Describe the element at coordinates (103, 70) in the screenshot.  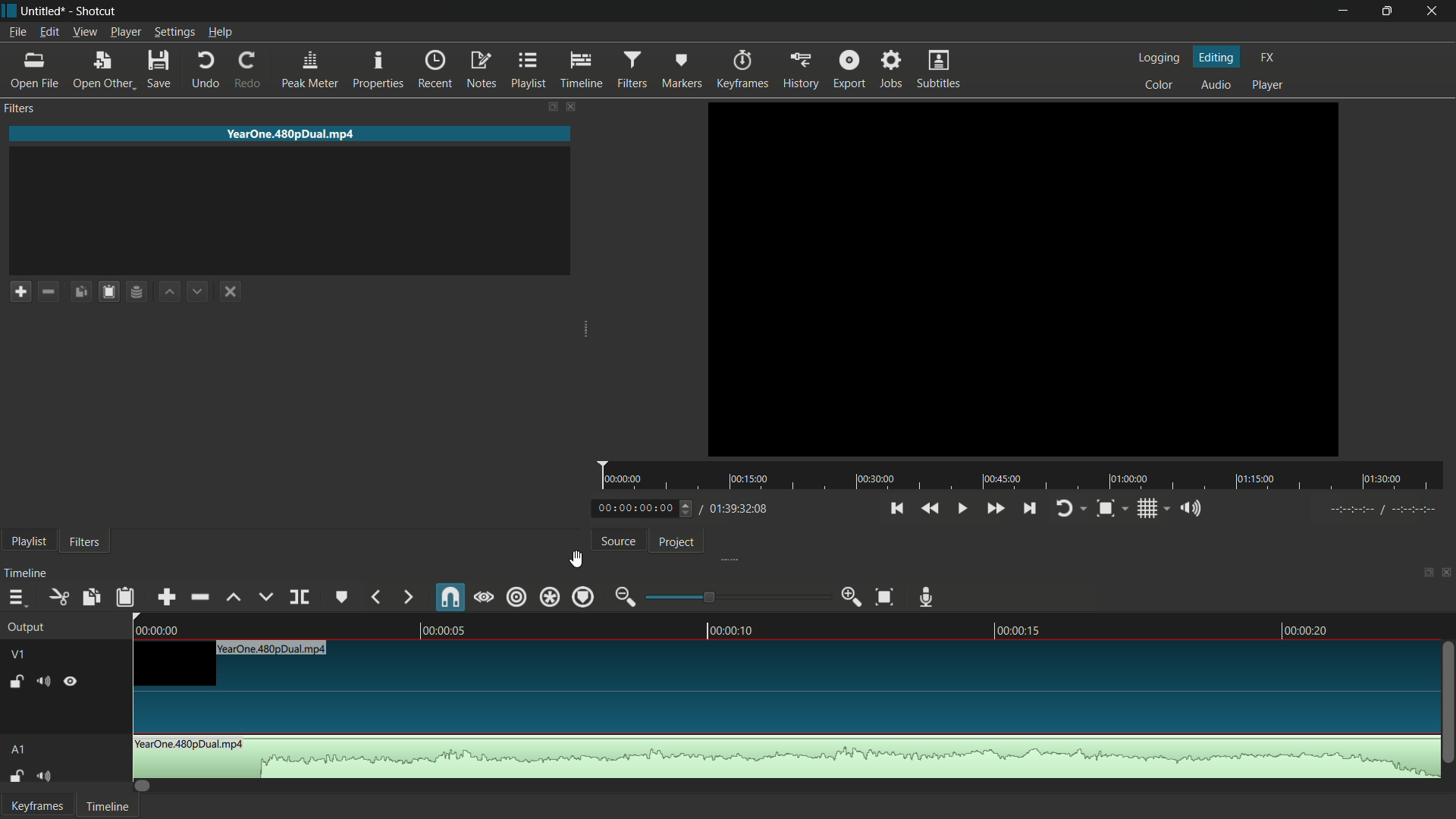
I see `open other` at that location.